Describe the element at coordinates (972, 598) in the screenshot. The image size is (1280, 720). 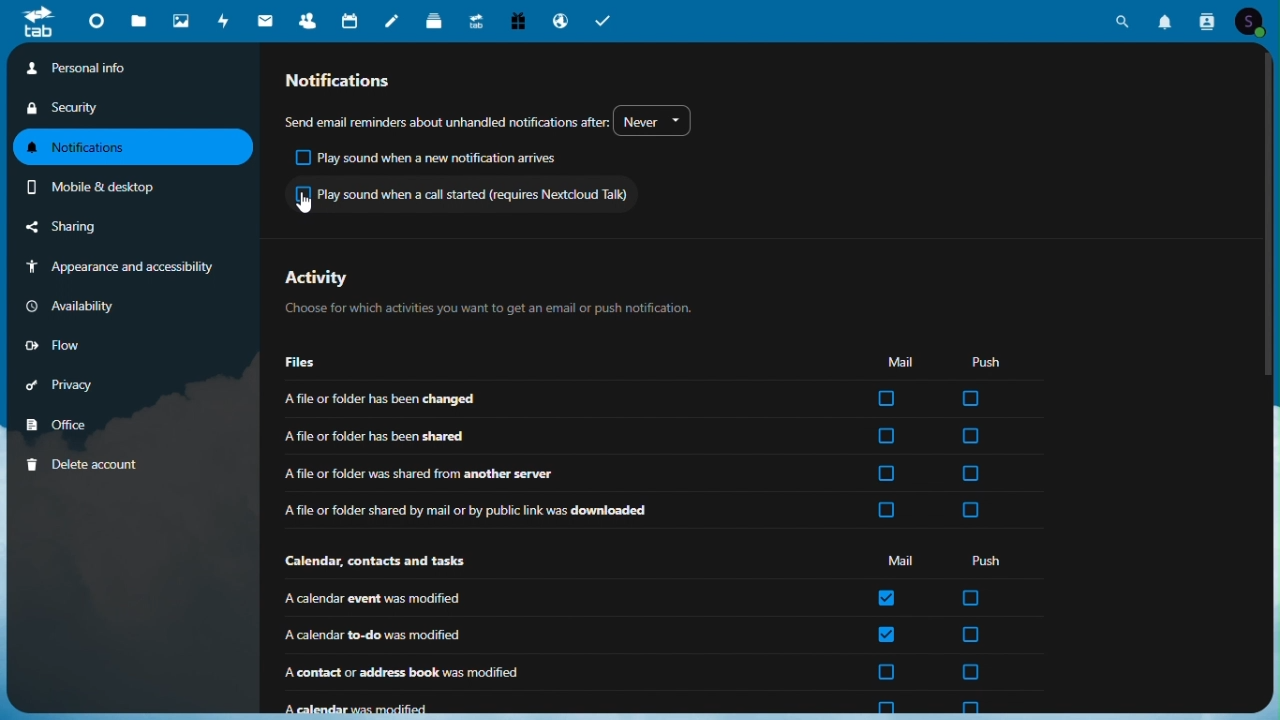
I see `check box` at that location.